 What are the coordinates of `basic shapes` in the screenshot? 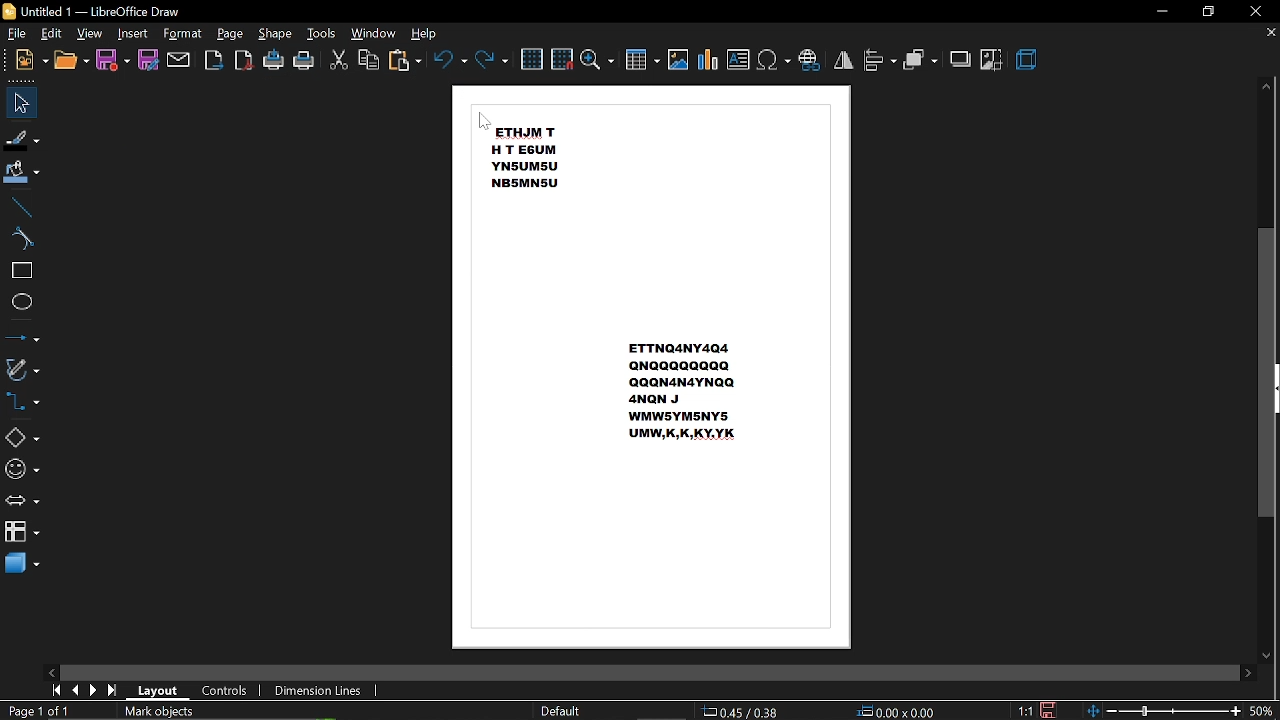 It's located at (23, 436).